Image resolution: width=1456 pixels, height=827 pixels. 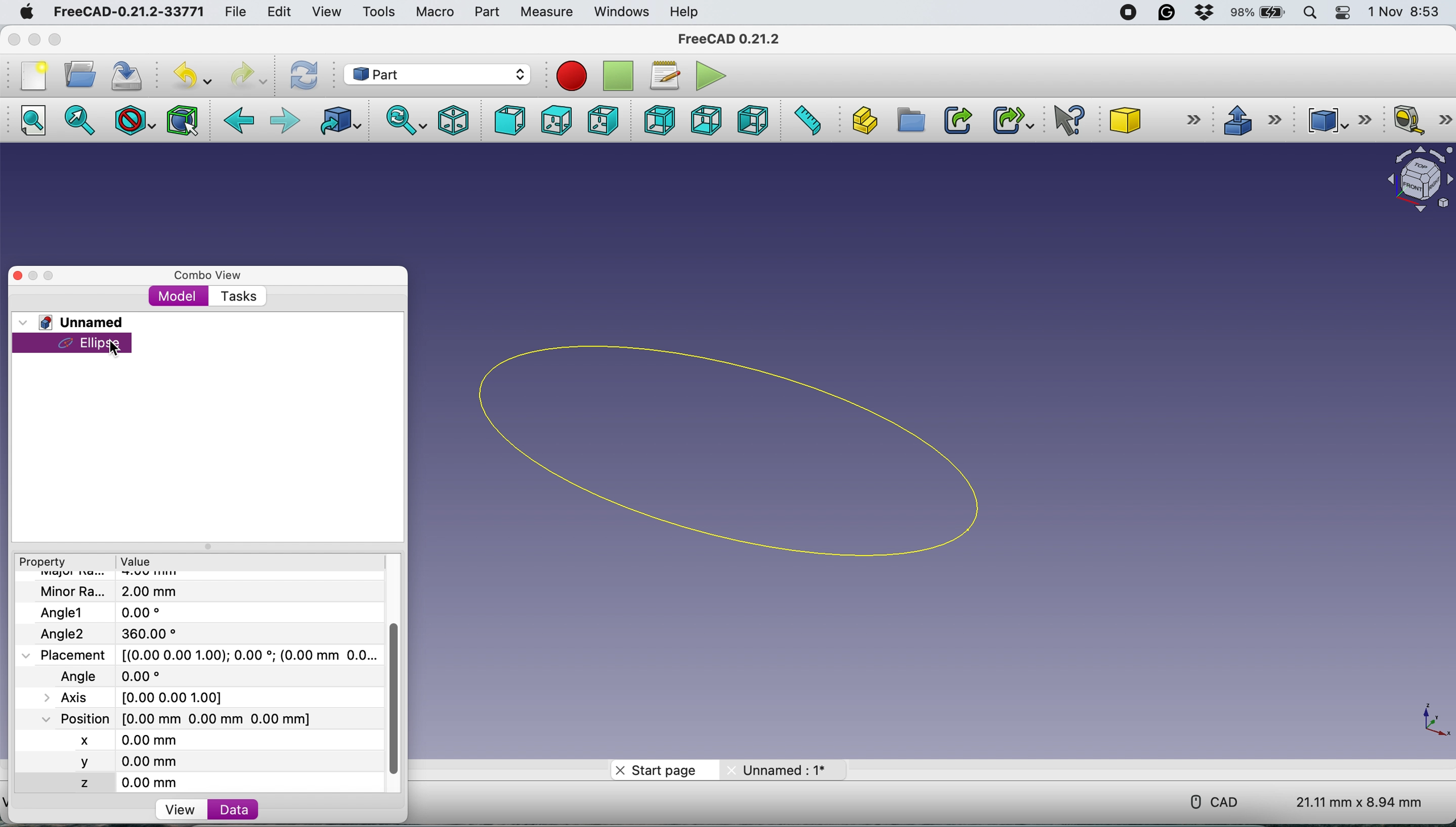 I want to click on rear, so click(x=661, y=119).